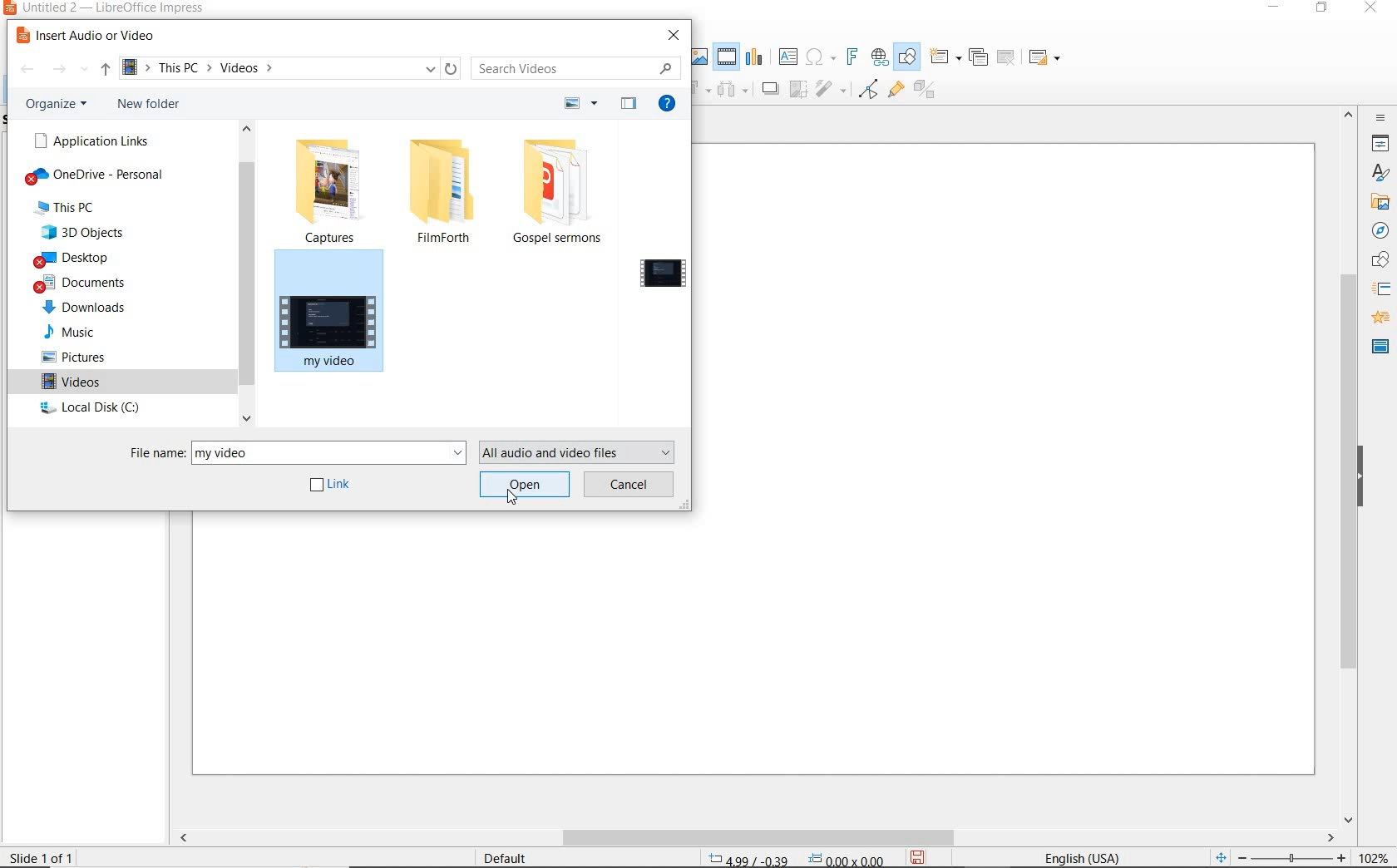 The width and height of the screenshot is (1397, 868). Describe the element at coordinates (1271, 8) in the screenshot. I see `MINIMIZE` at that location.